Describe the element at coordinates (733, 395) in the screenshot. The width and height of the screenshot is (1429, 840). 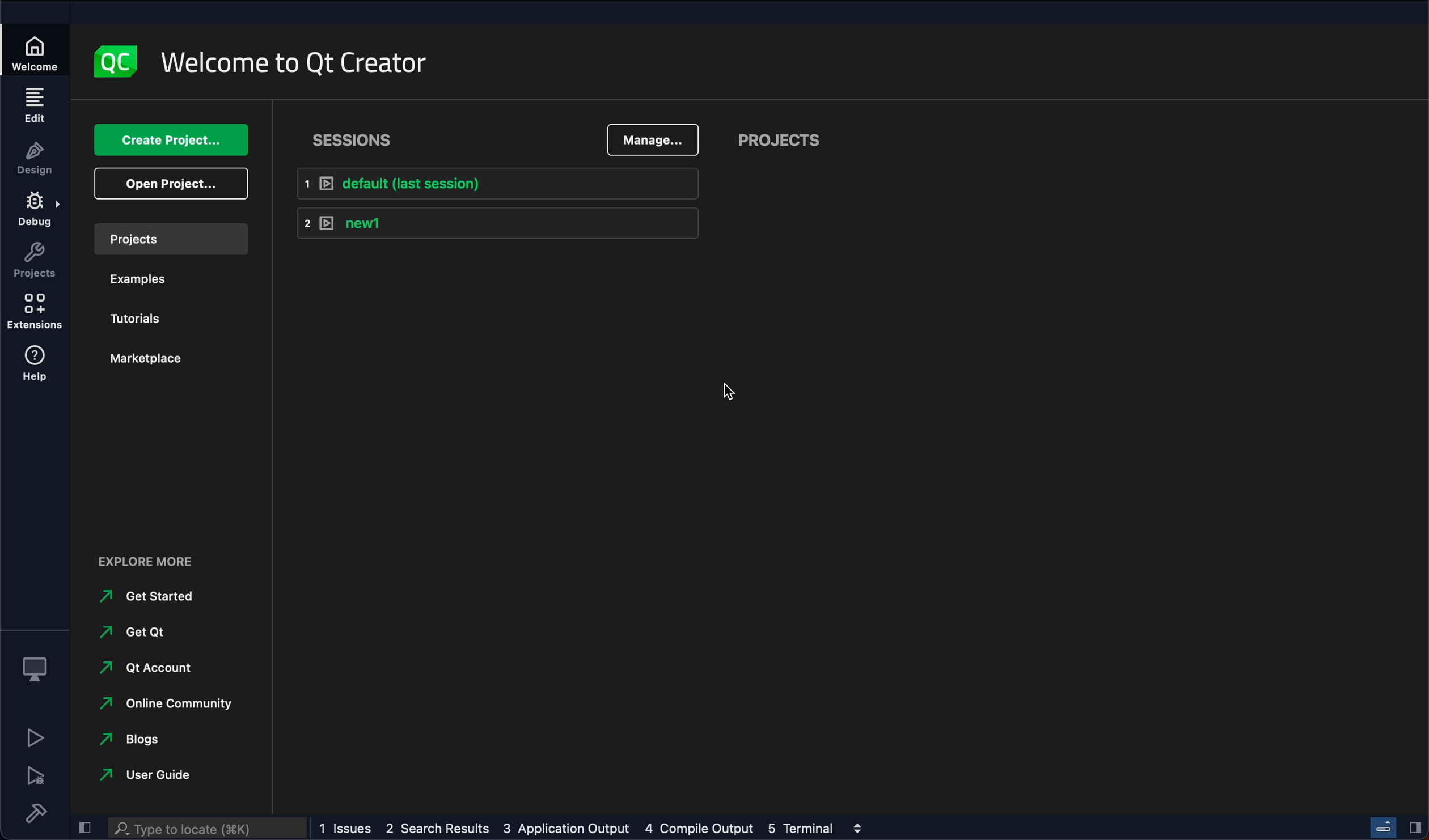
I see `cursor` at that location.